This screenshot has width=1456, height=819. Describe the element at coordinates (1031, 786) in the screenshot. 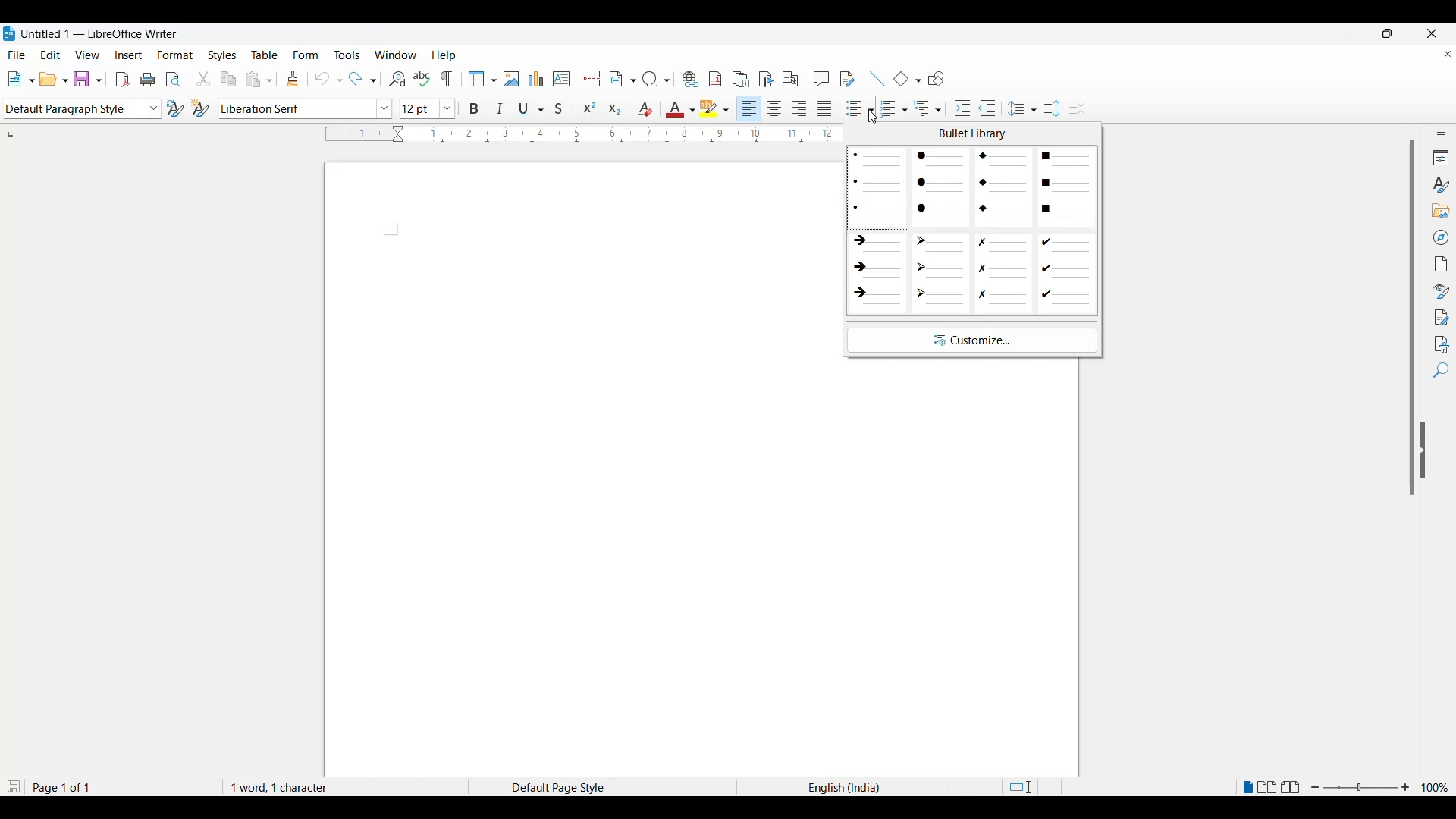

I see `Standard selection` at that location.